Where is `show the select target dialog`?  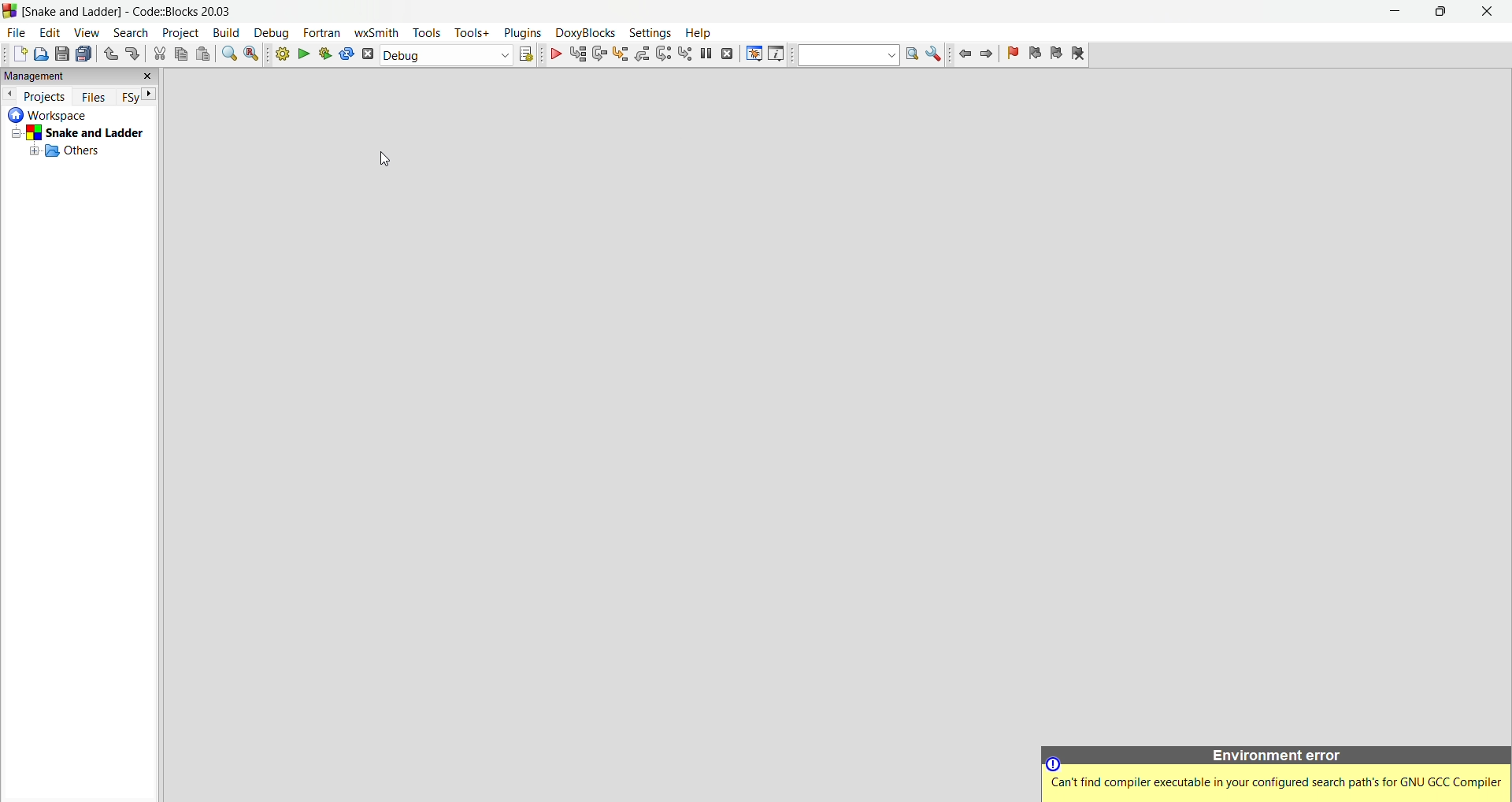 show the select target dialog is located at coordinates (528, 56).